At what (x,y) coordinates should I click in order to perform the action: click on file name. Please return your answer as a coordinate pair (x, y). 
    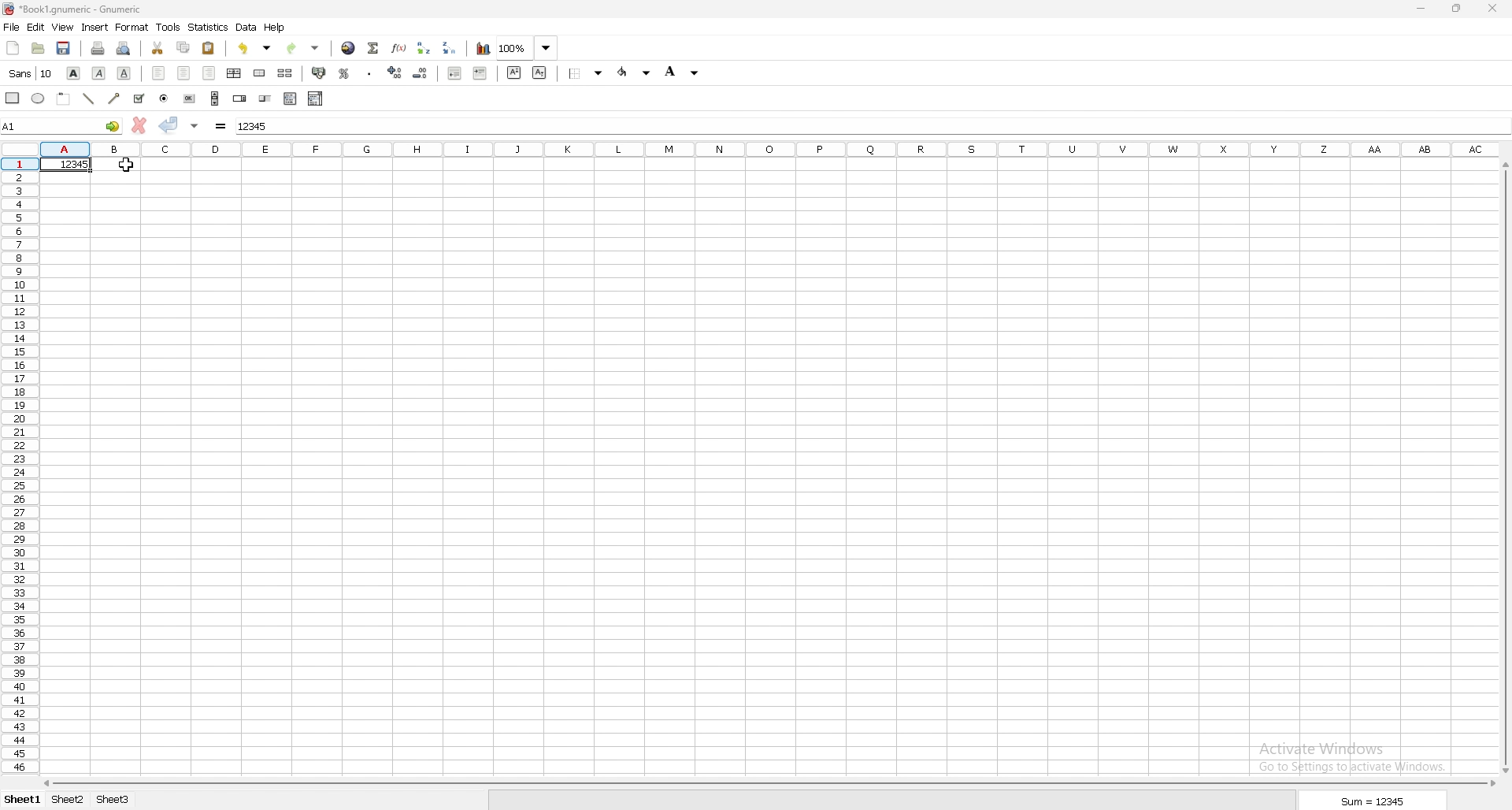
    Looking at the image, I should click on (72, 10).